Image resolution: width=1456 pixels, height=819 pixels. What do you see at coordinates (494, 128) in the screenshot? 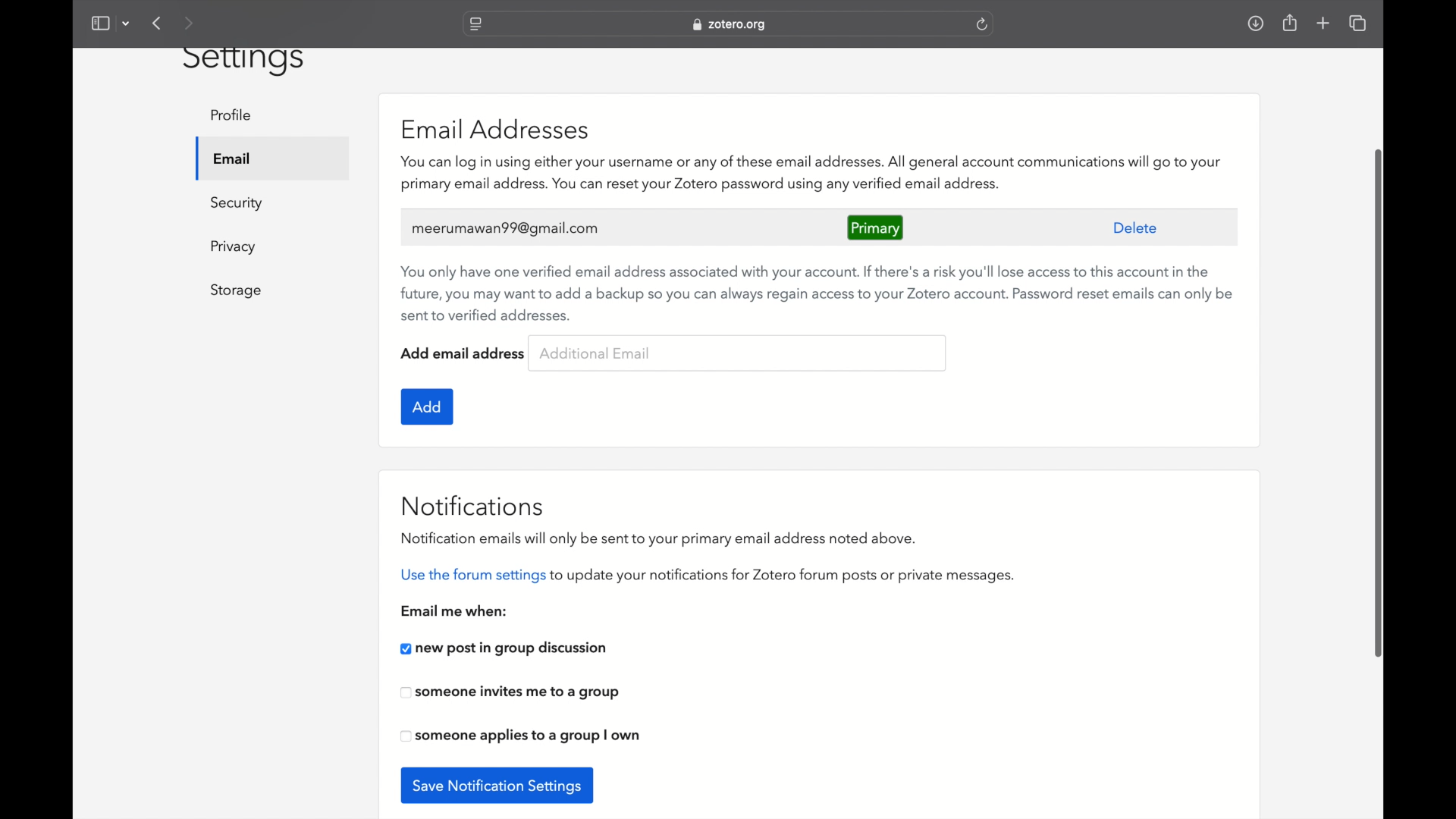
I see `email addresses` at bounding box center [494, 128].